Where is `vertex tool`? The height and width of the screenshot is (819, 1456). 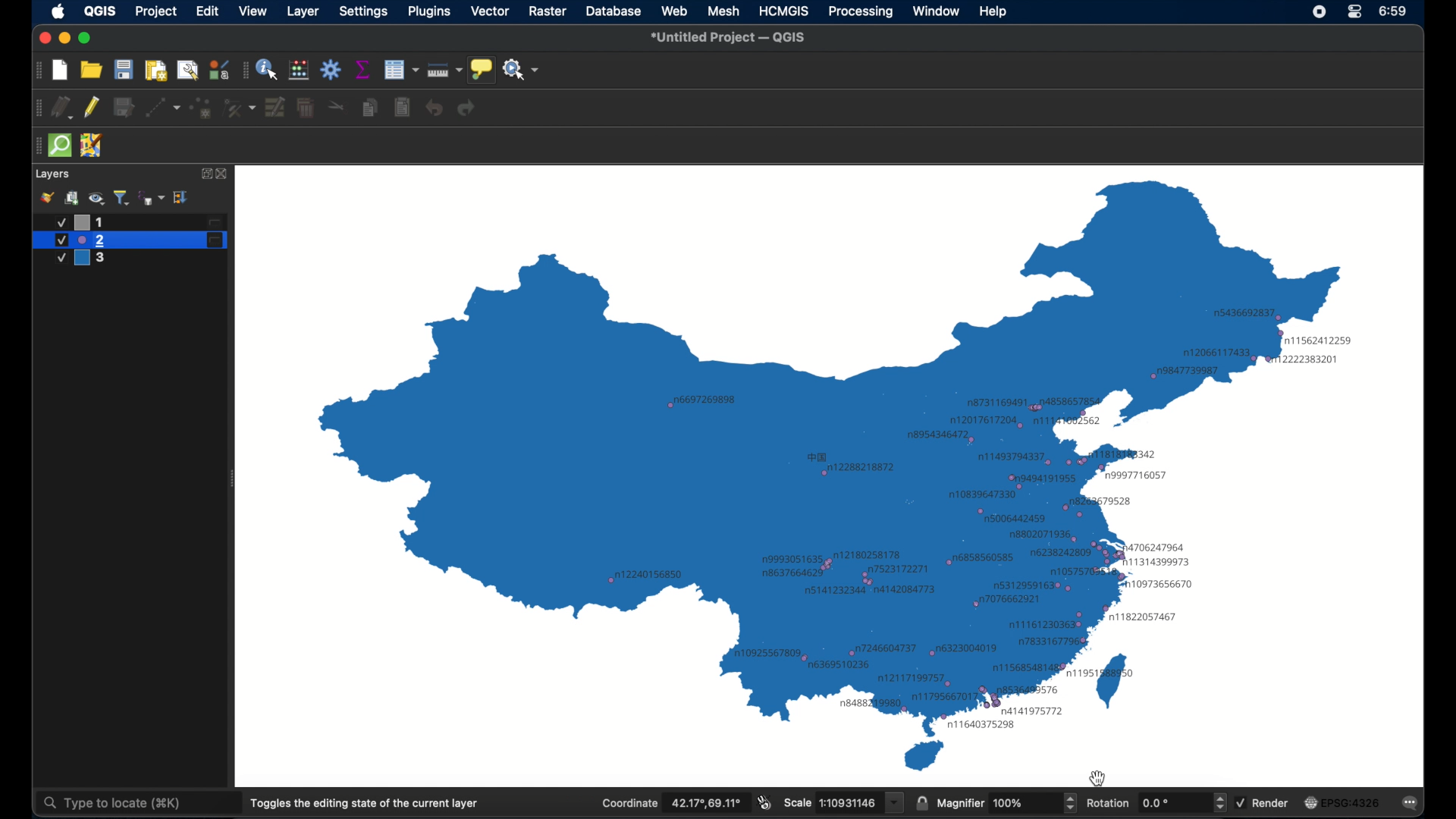 vertex tool is located at coordinates (240, 108).